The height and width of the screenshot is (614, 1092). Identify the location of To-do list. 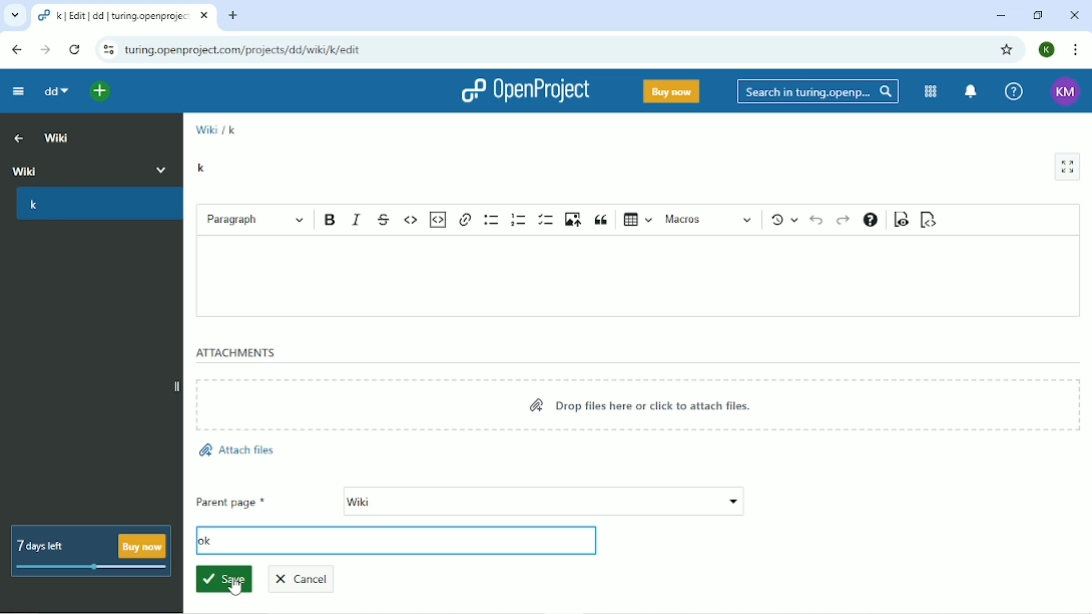
(546, 219).